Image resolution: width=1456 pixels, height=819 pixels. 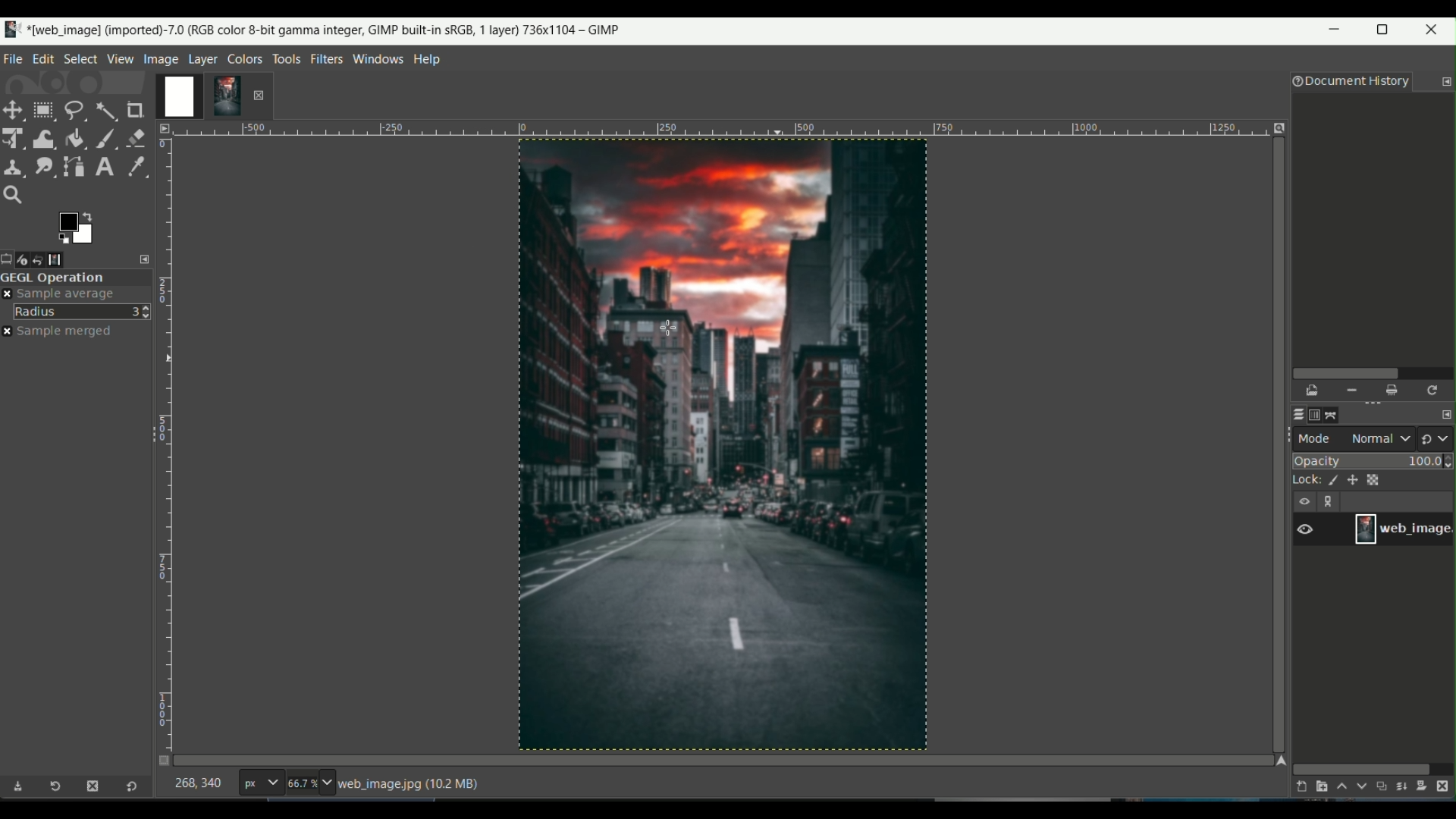 I want to click on path tool, so click(x=75, y=165).